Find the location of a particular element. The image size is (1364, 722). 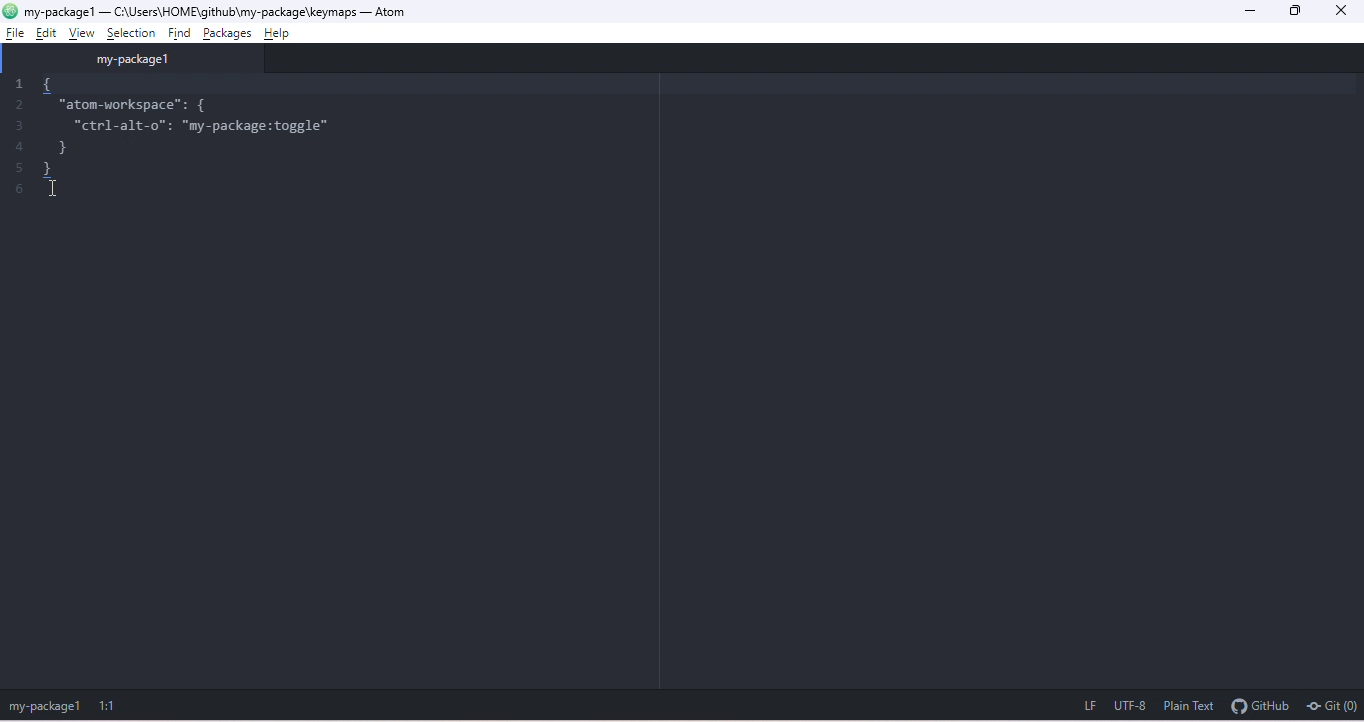

edit is located at coordinates (47, 33).